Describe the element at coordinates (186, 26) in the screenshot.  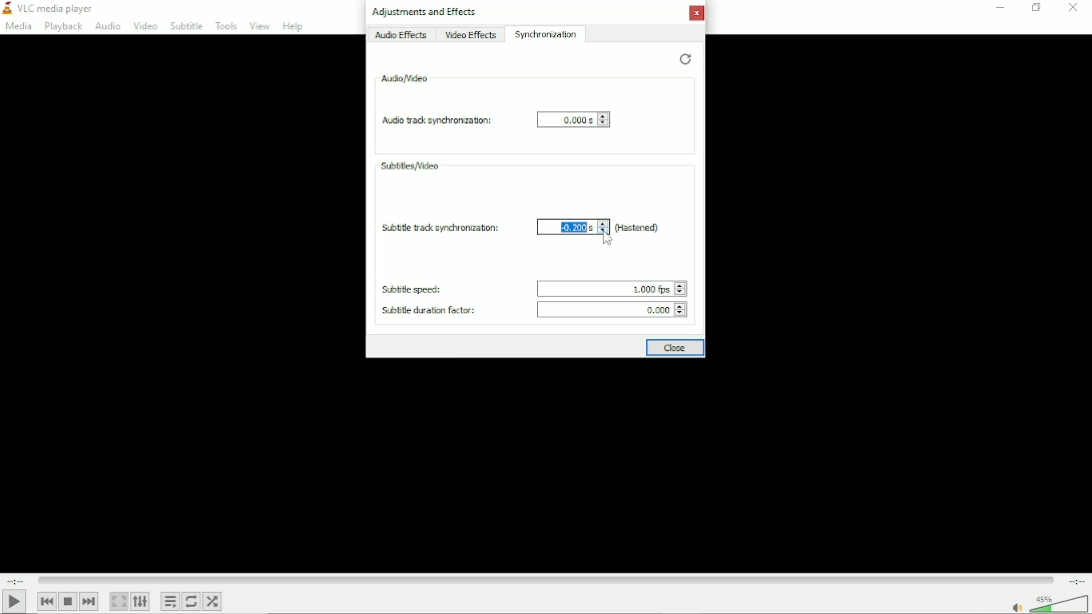
I see `Subtitle` at that location.